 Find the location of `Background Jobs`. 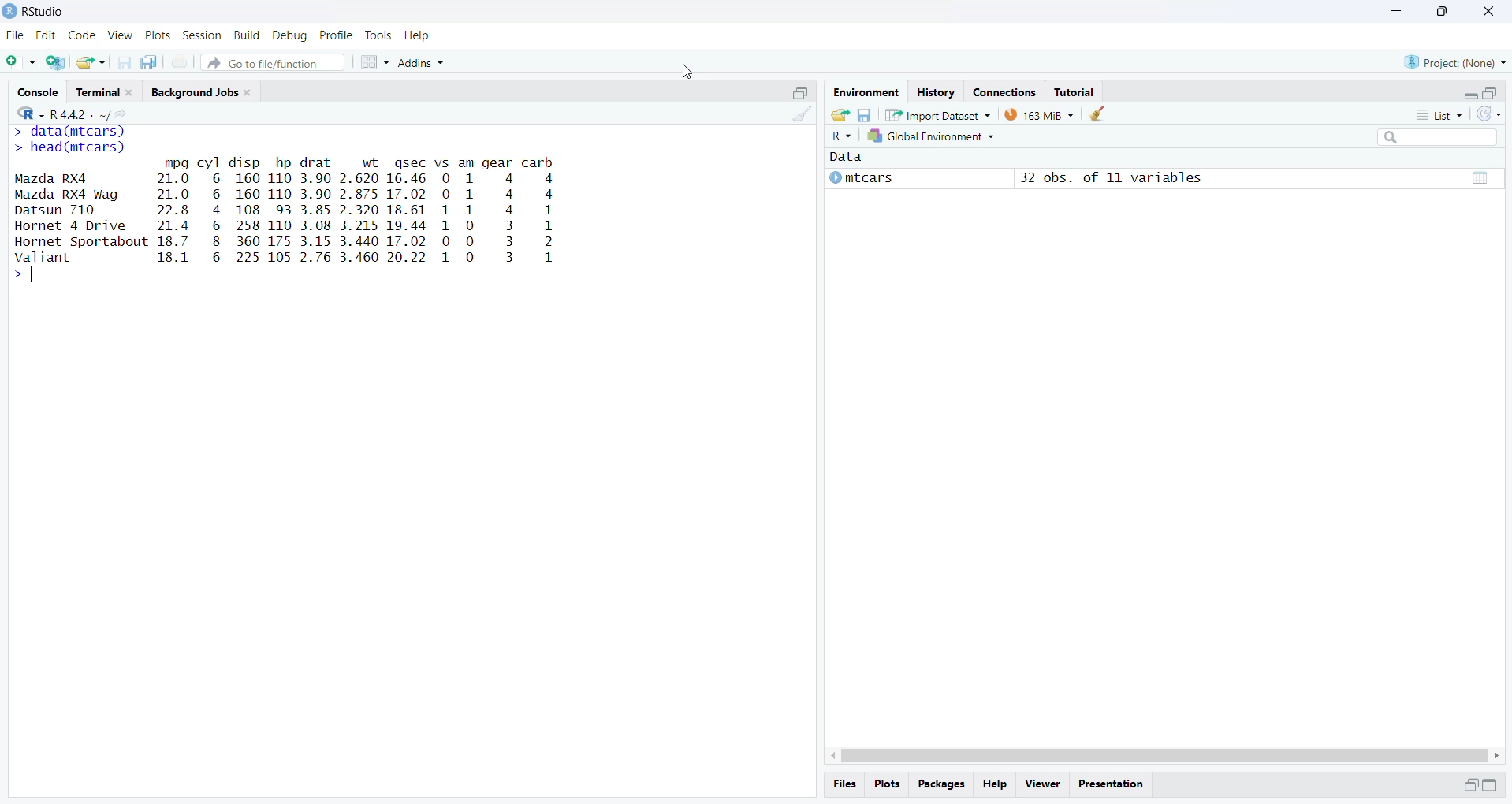

Background Jobs is located at coordinates (193, 92).